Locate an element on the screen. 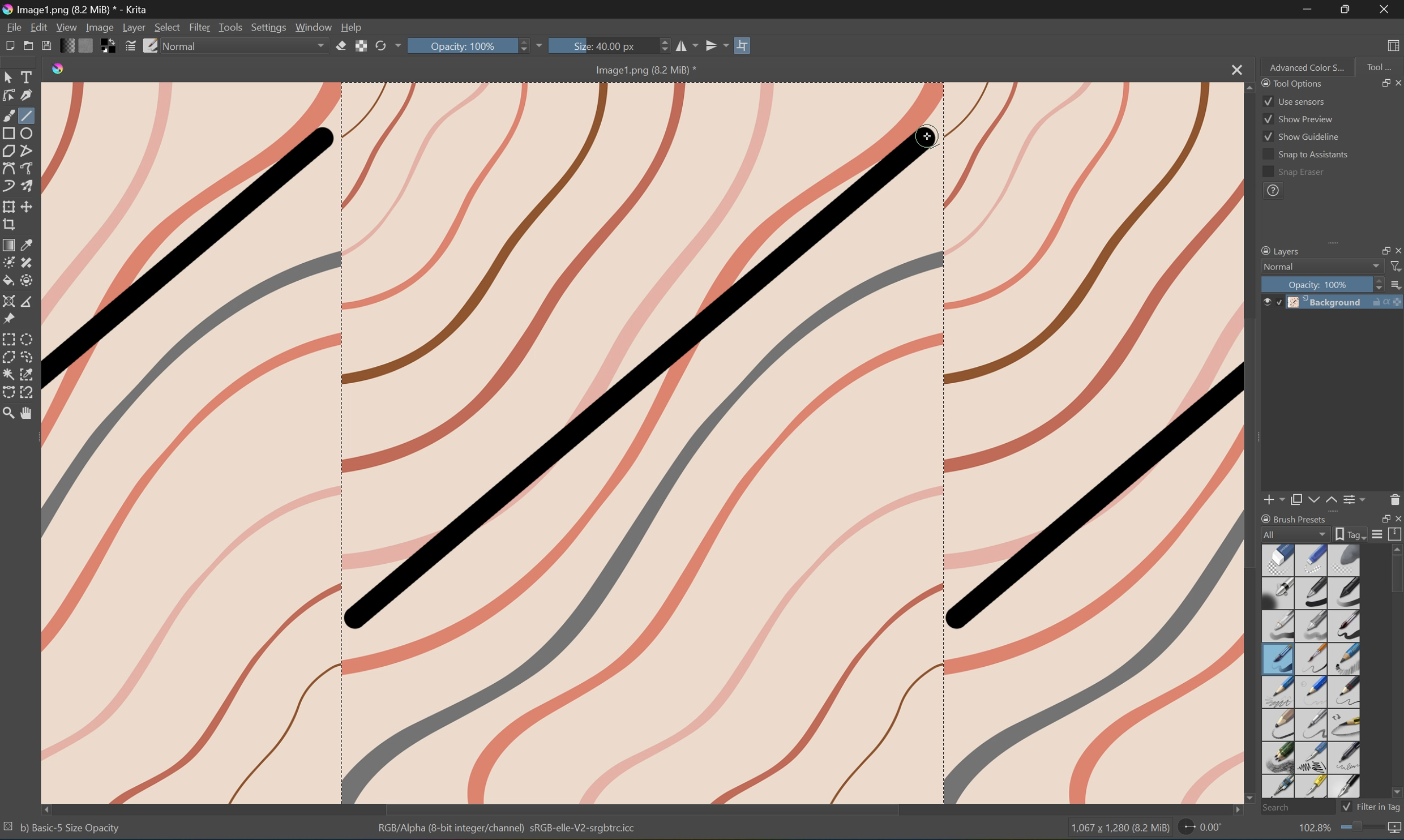  Map the displayed canvas size between pixel size or print size is located at coordinates (1396, 829).